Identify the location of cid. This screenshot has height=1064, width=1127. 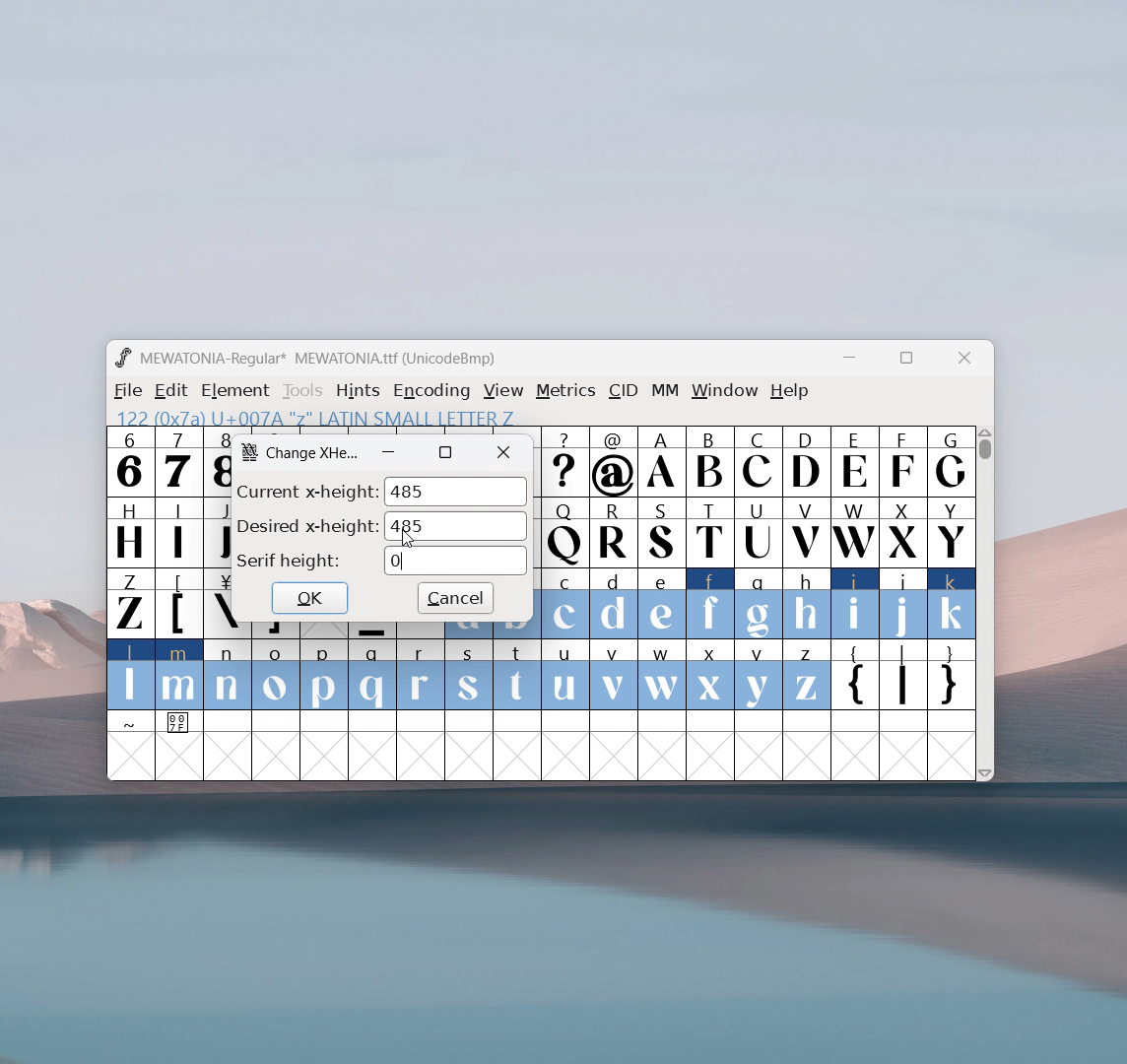
(623, 391).